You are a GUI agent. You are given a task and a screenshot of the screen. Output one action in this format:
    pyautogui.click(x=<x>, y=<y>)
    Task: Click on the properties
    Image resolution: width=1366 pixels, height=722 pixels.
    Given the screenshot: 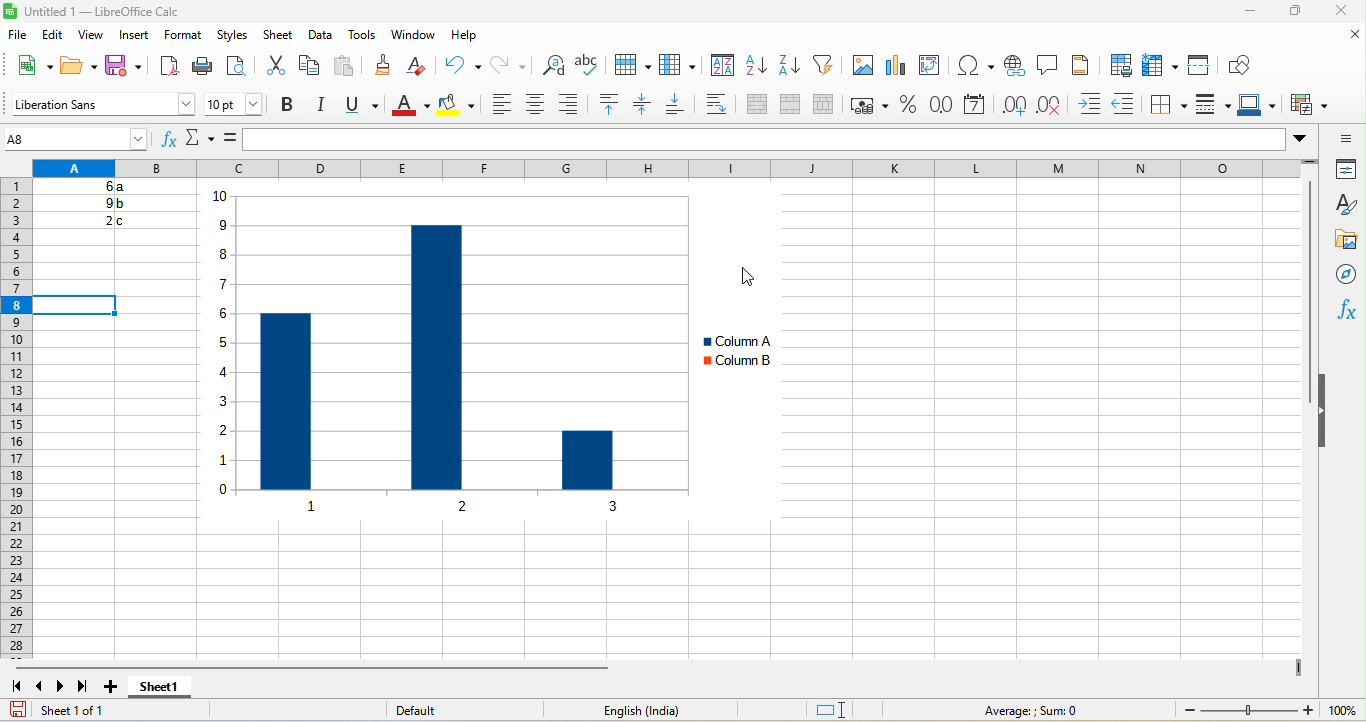 What is the action you would take?
    pyautogui.click(x=1348, y=171)
    